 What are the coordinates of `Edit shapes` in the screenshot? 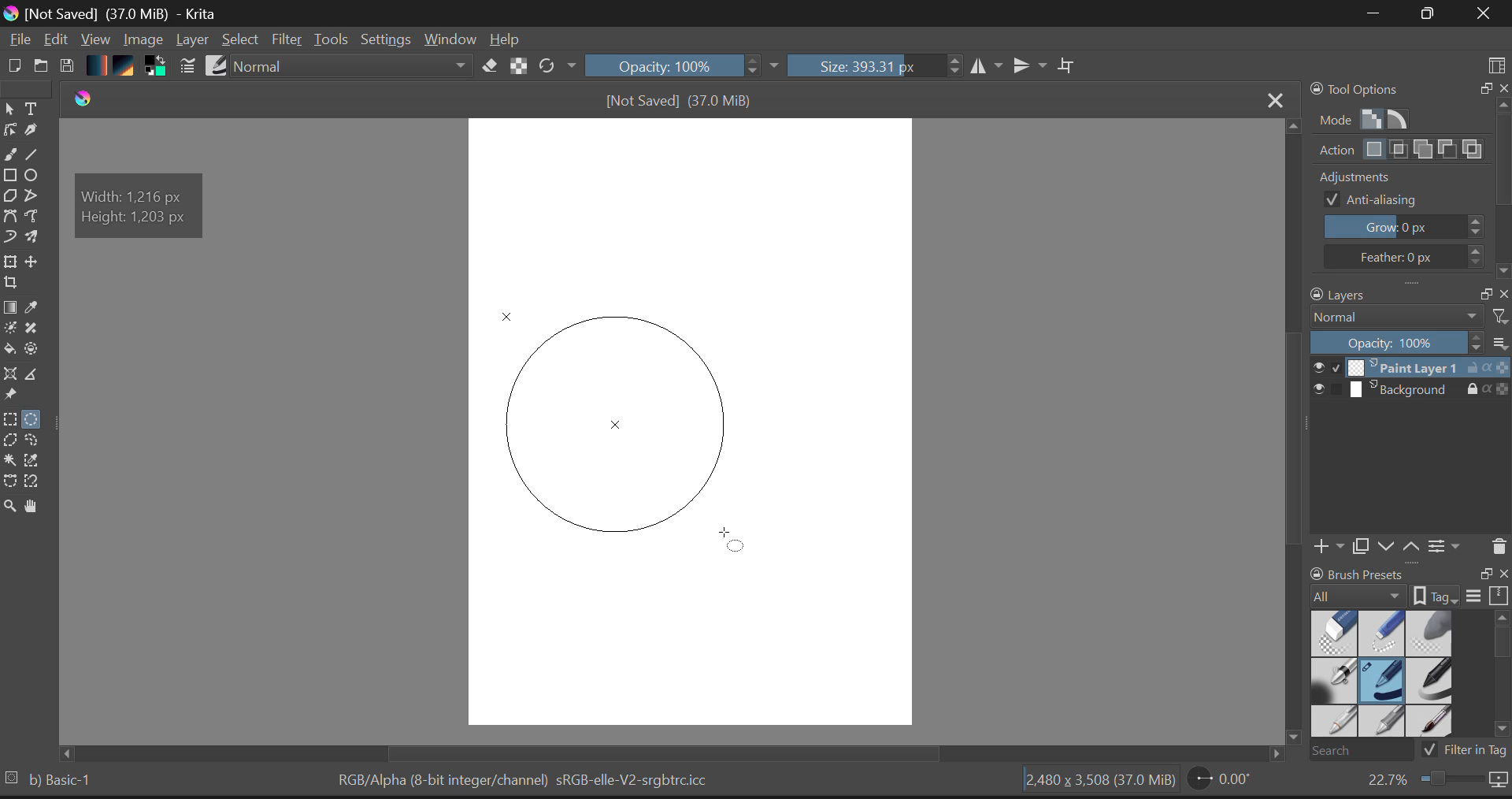 It's located at (9, 132).